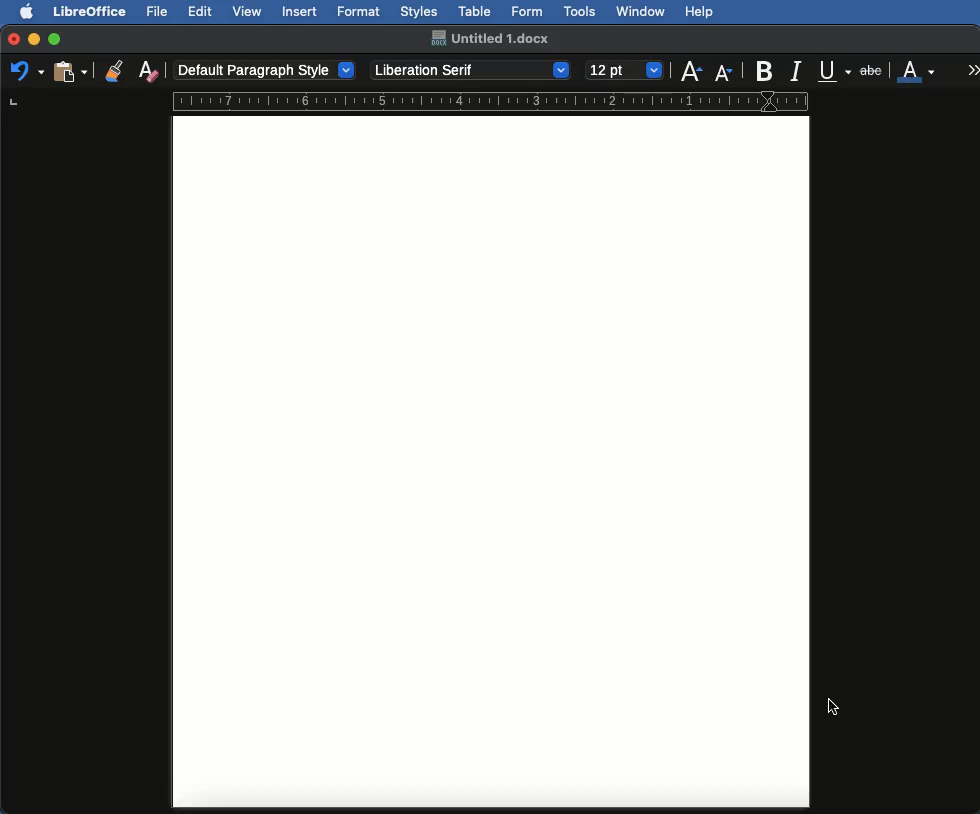 Image resolution: width=980 pixels, height=814 pixels. Describe the element at coordinates (360, 12) in the screenshot. I see `Format` at that location.